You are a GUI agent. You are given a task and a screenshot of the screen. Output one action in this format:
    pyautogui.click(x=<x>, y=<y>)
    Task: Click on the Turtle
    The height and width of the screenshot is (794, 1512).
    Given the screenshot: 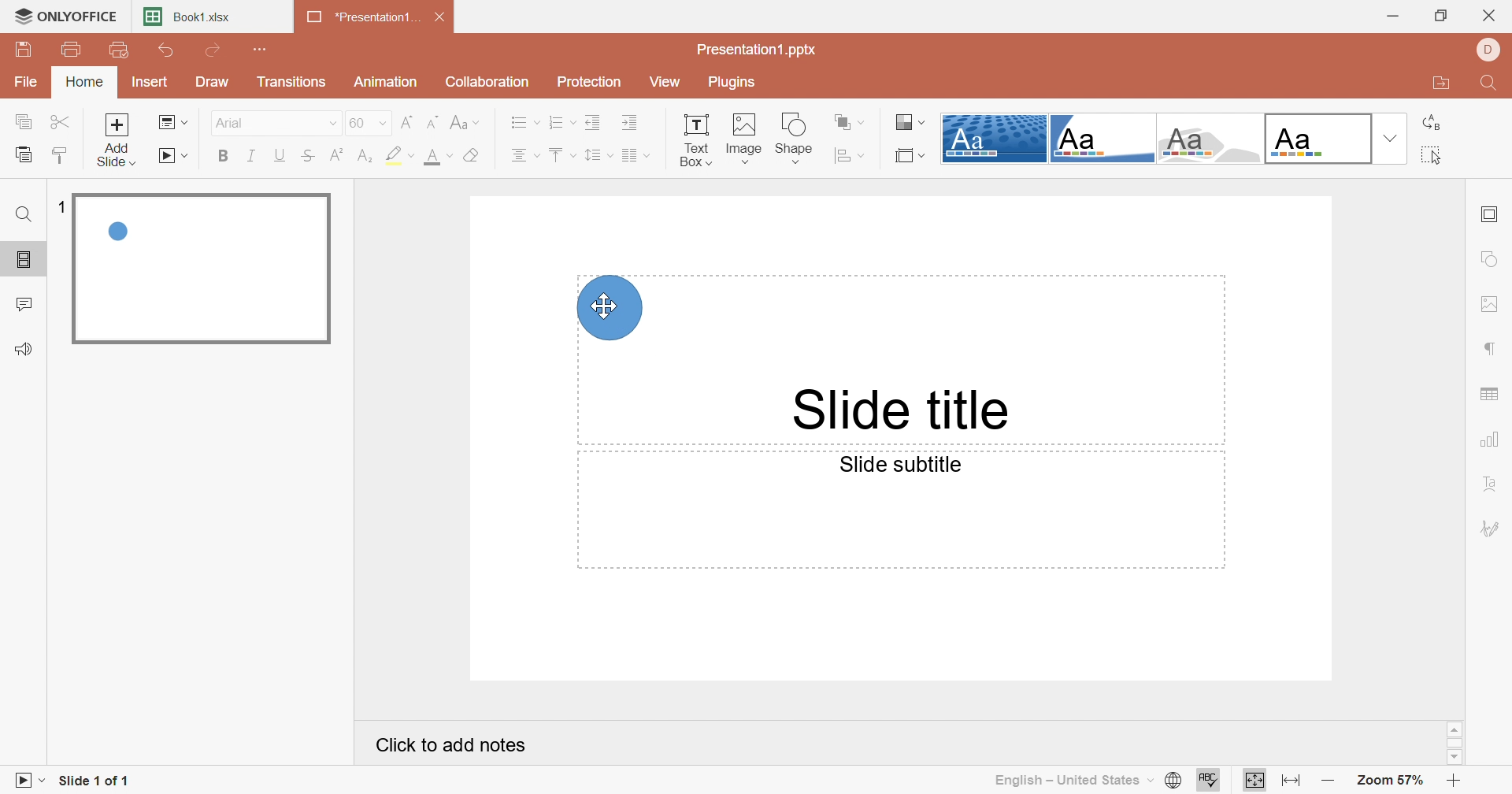 What is the action you would take?
    pyautogui.click(x=1210, y=139)
    